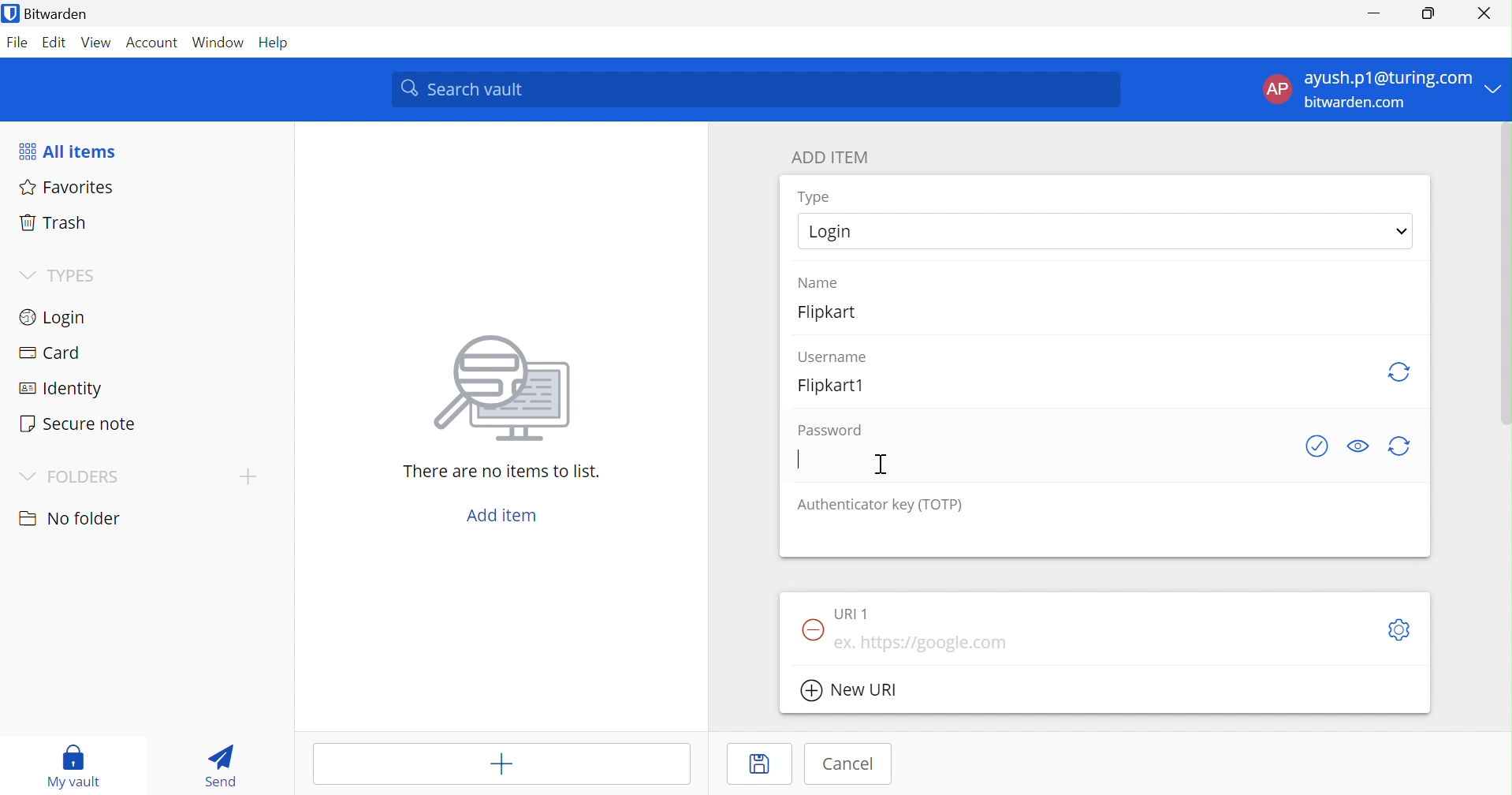  Describe the element at coordinates (1400, 370) in the screenshot. I see `generate username` at that location.